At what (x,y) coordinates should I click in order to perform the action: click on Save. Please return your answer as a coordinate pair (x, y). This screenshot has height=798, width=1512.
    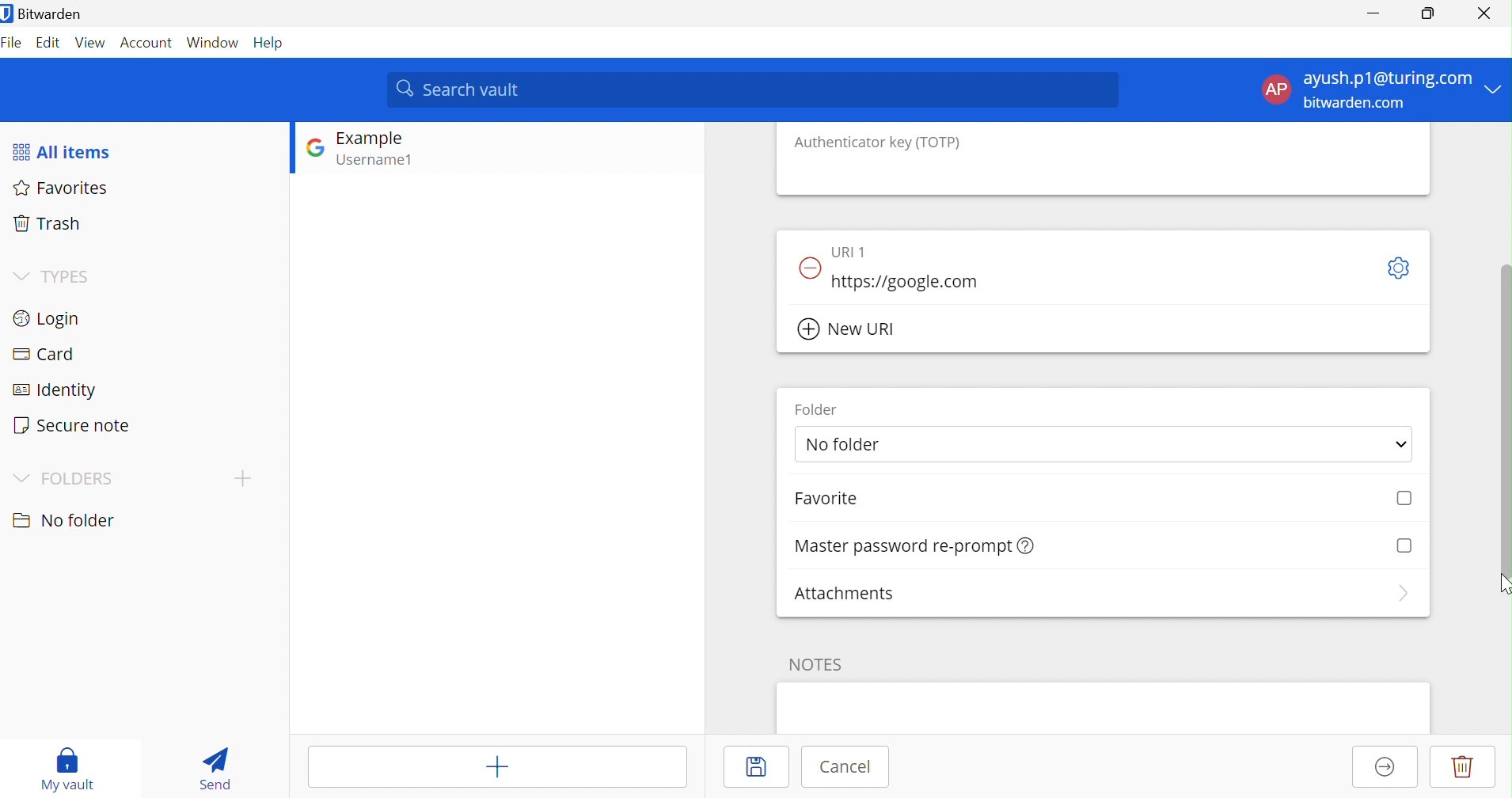
    Looking at the image, I should click on (758, 766).